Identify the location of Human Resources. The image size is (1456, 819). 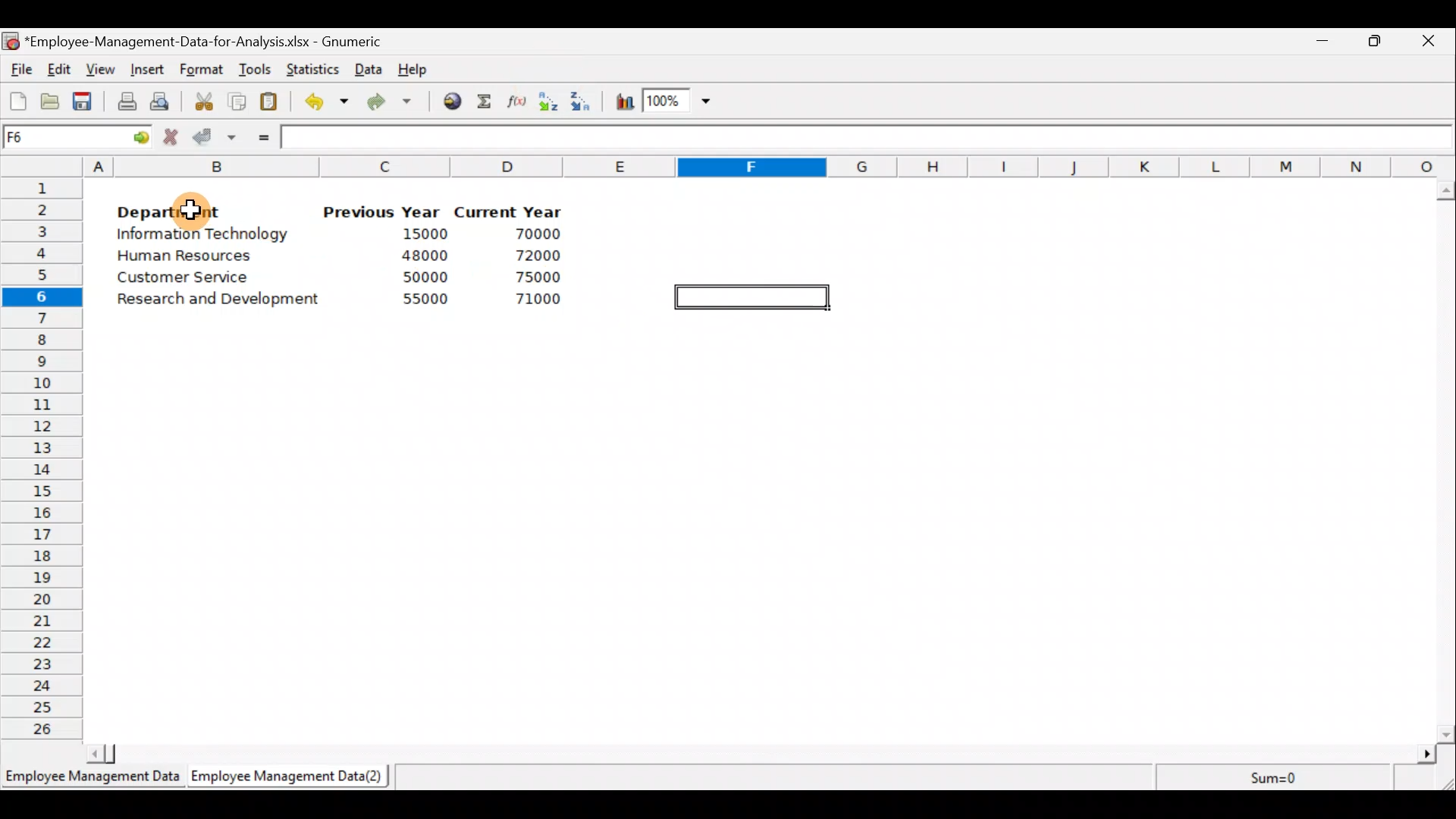
(188, 257).